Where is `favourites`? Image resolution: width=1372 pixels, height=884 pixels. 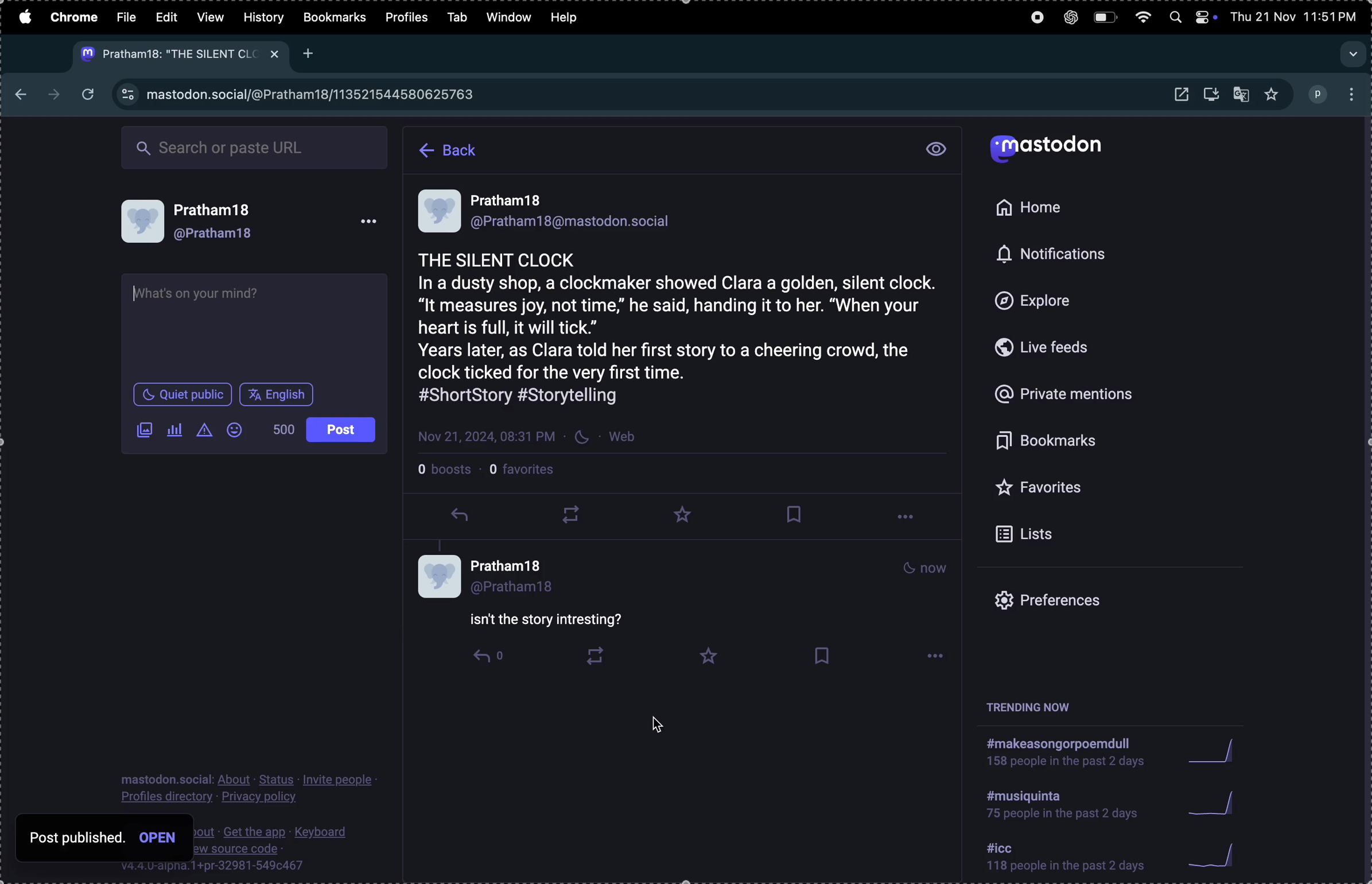 favourites is located at coordinates (528, 474).